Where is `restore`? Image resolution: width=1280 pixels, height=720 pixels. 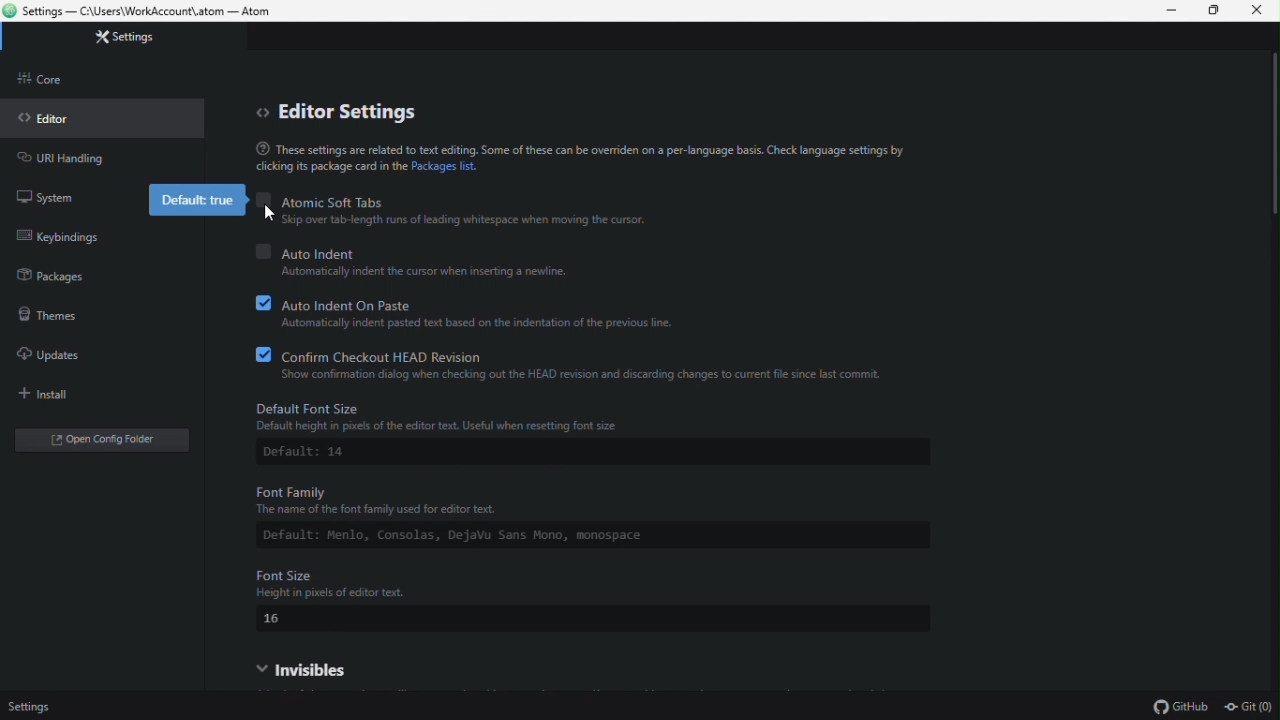
restore is located at coordinates (1215, 12).